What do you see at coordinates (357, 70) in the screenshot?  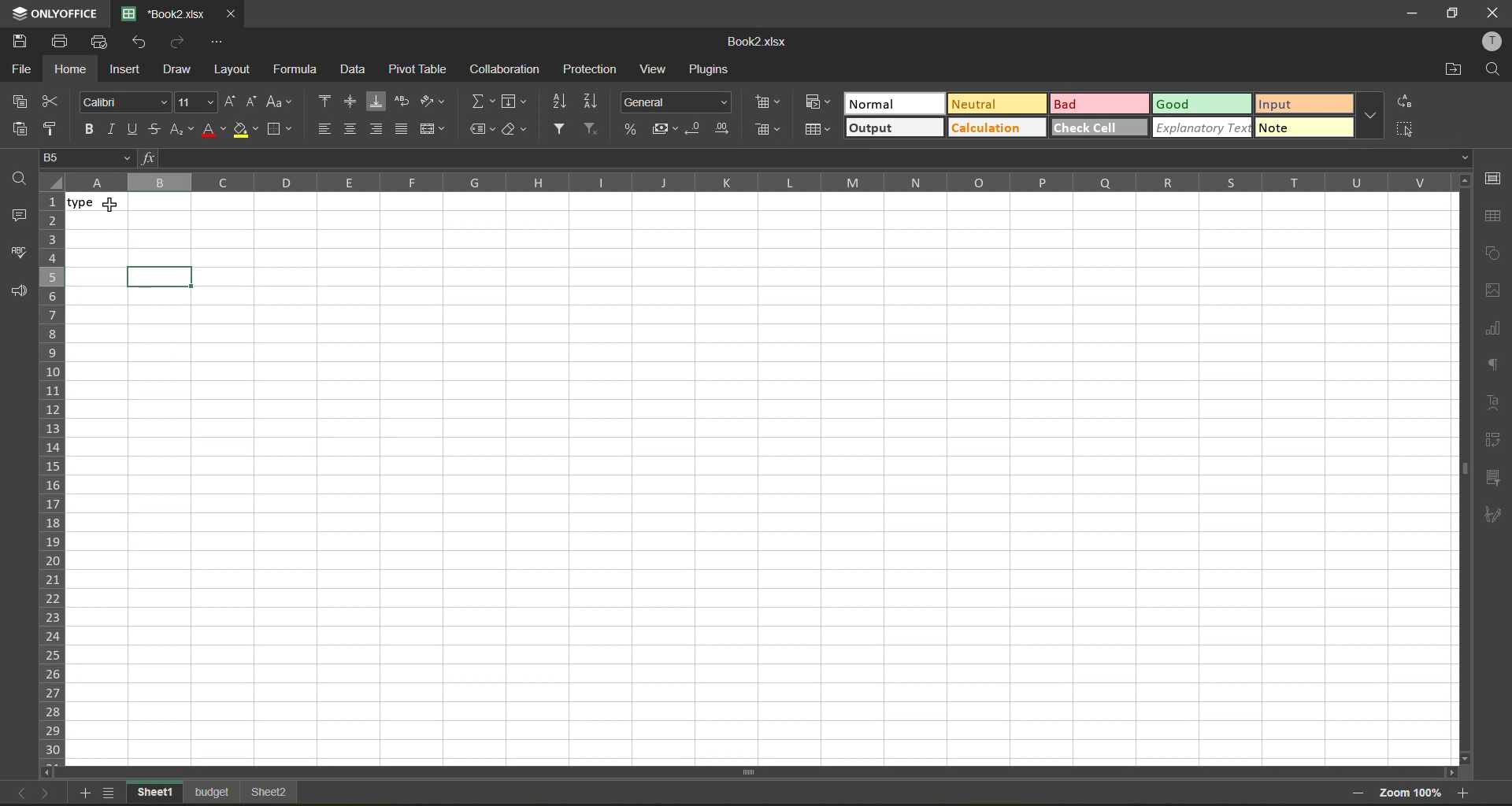 I see `data` at bounding box center [357, 70].